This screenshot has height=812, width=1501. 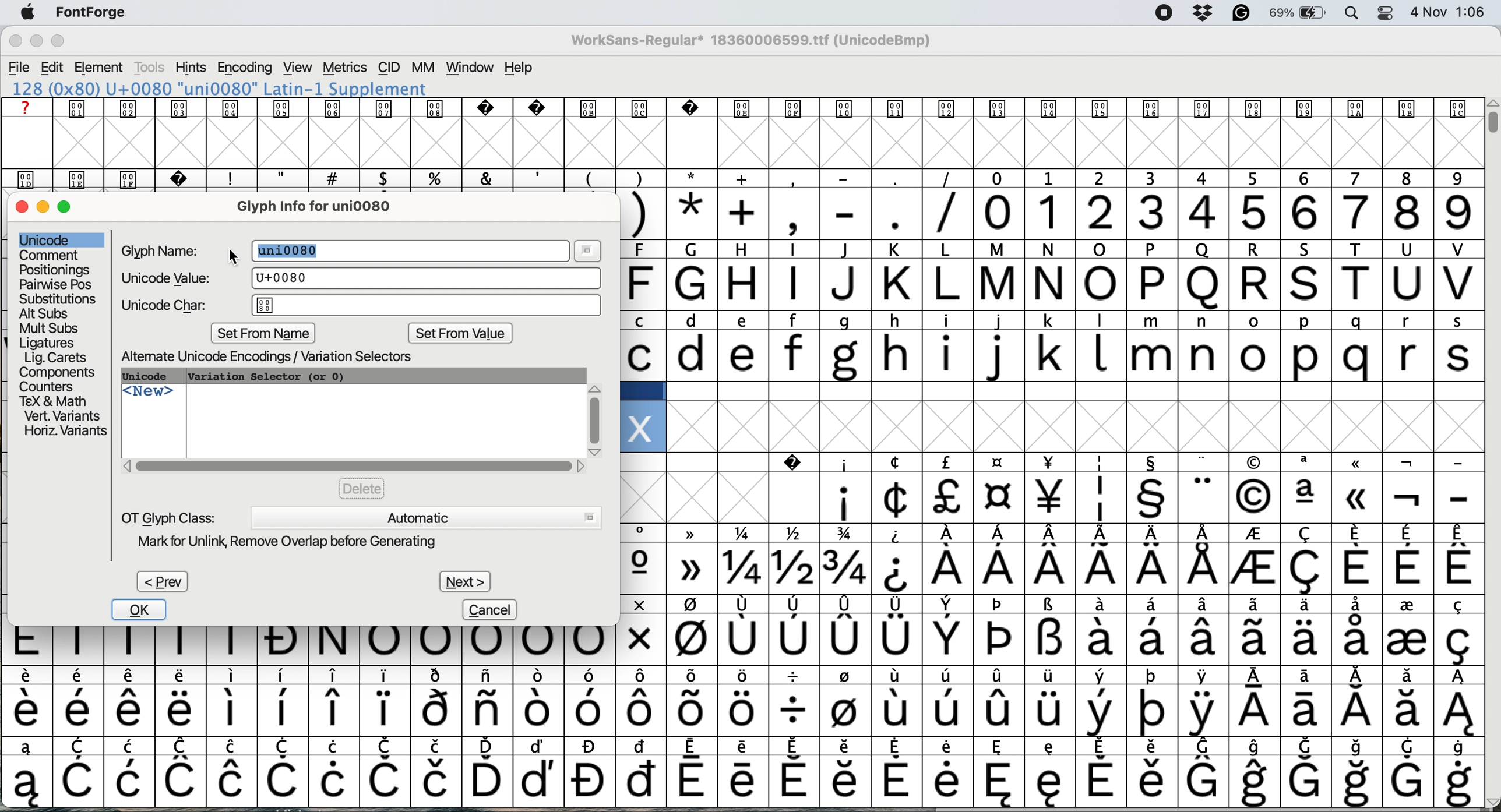 What do you see at coordinates (244, 68) in the screenshot?
I see `encoding` at bounding box center [244, 68].